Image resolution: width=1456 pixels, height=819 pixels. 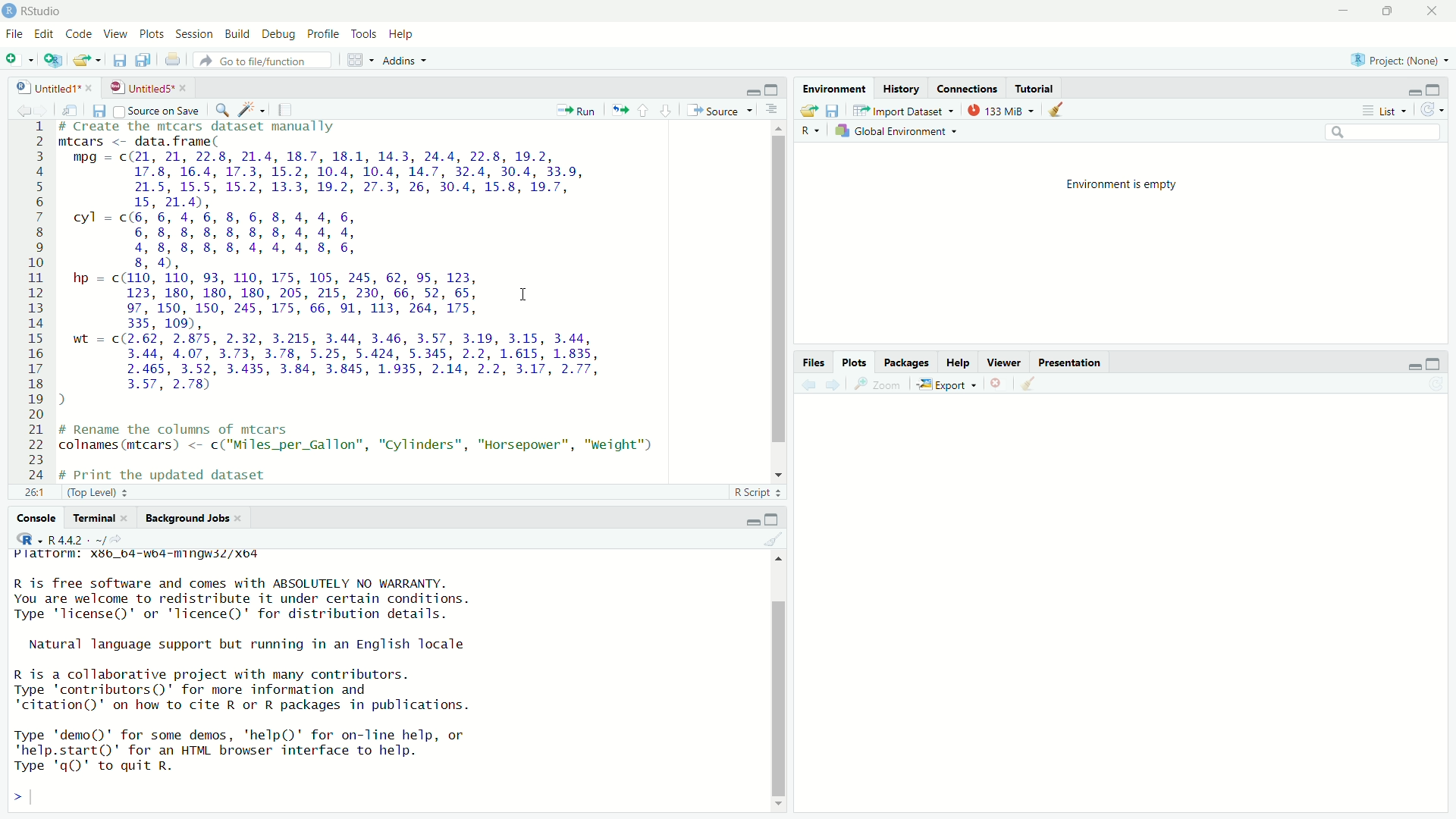 What do you see at coordinates (775, 110) in the screenshot?
I see `options` at bounding box center [775, 110].